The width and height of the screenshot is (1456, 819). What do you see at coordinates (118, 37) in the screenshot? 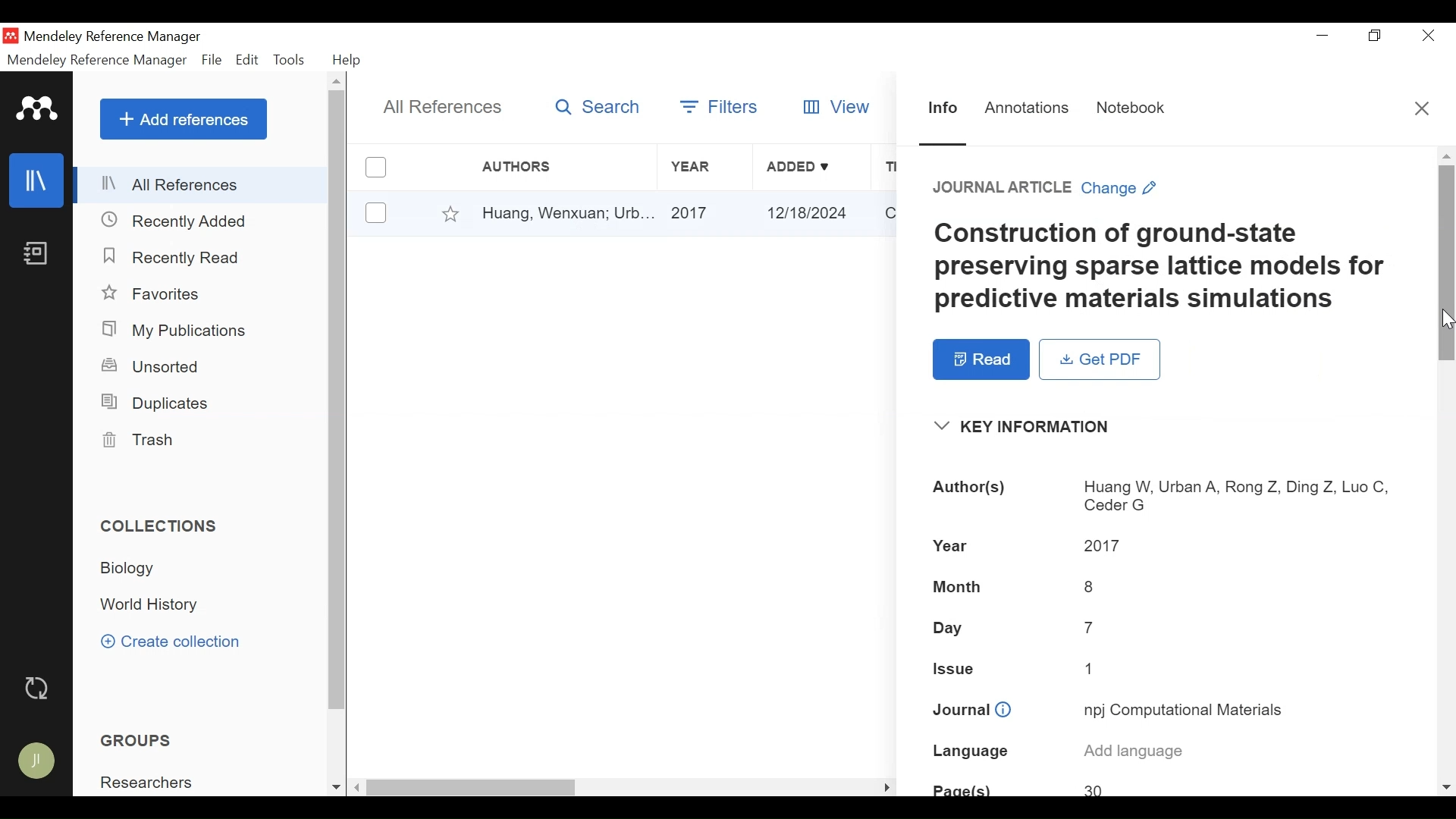
I see `Mendeley Reference Manager` at bounding box center [118, 37].